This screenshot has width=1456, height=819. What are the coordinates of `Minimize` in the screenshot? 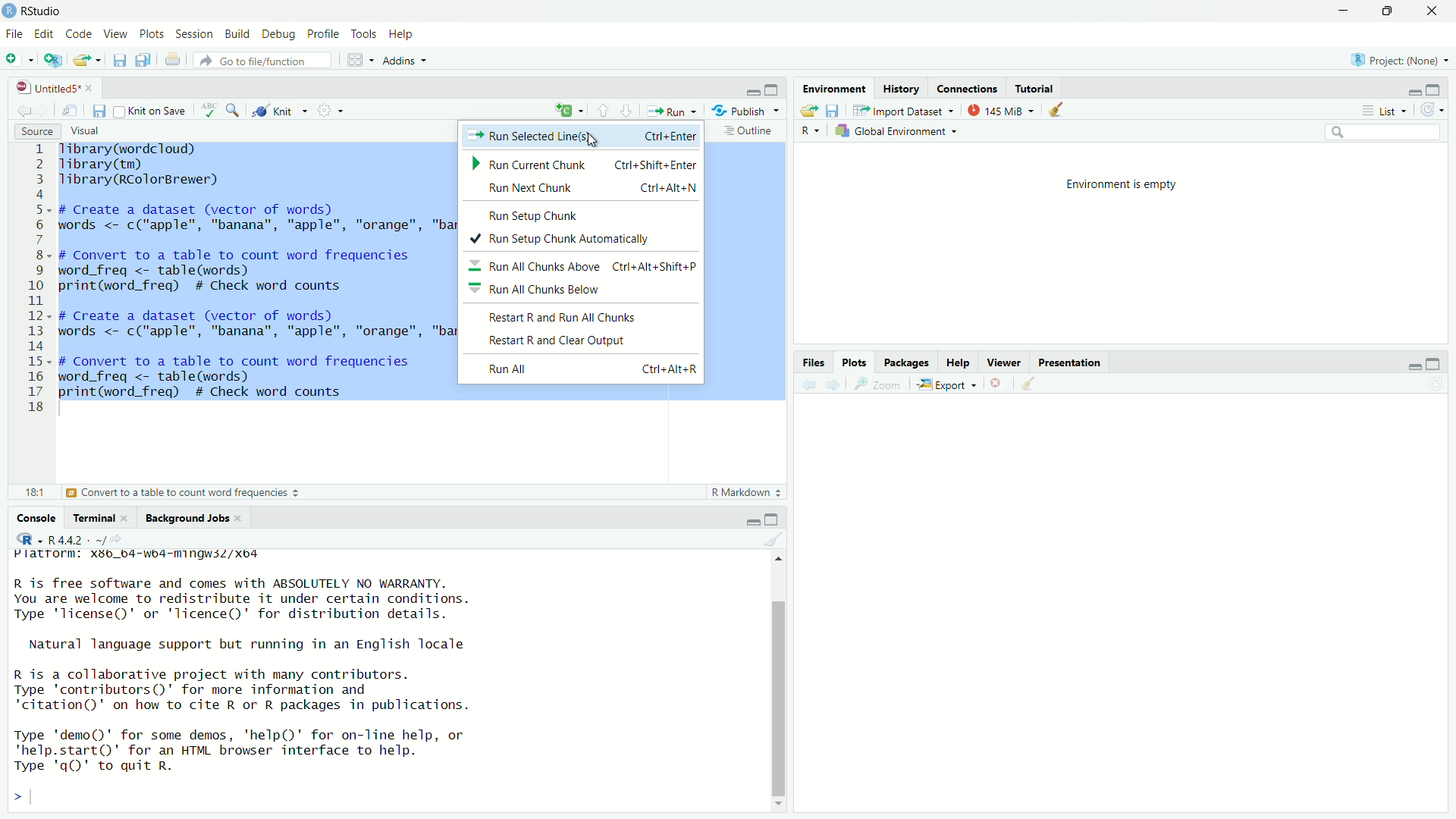 It's located at (754, 523).